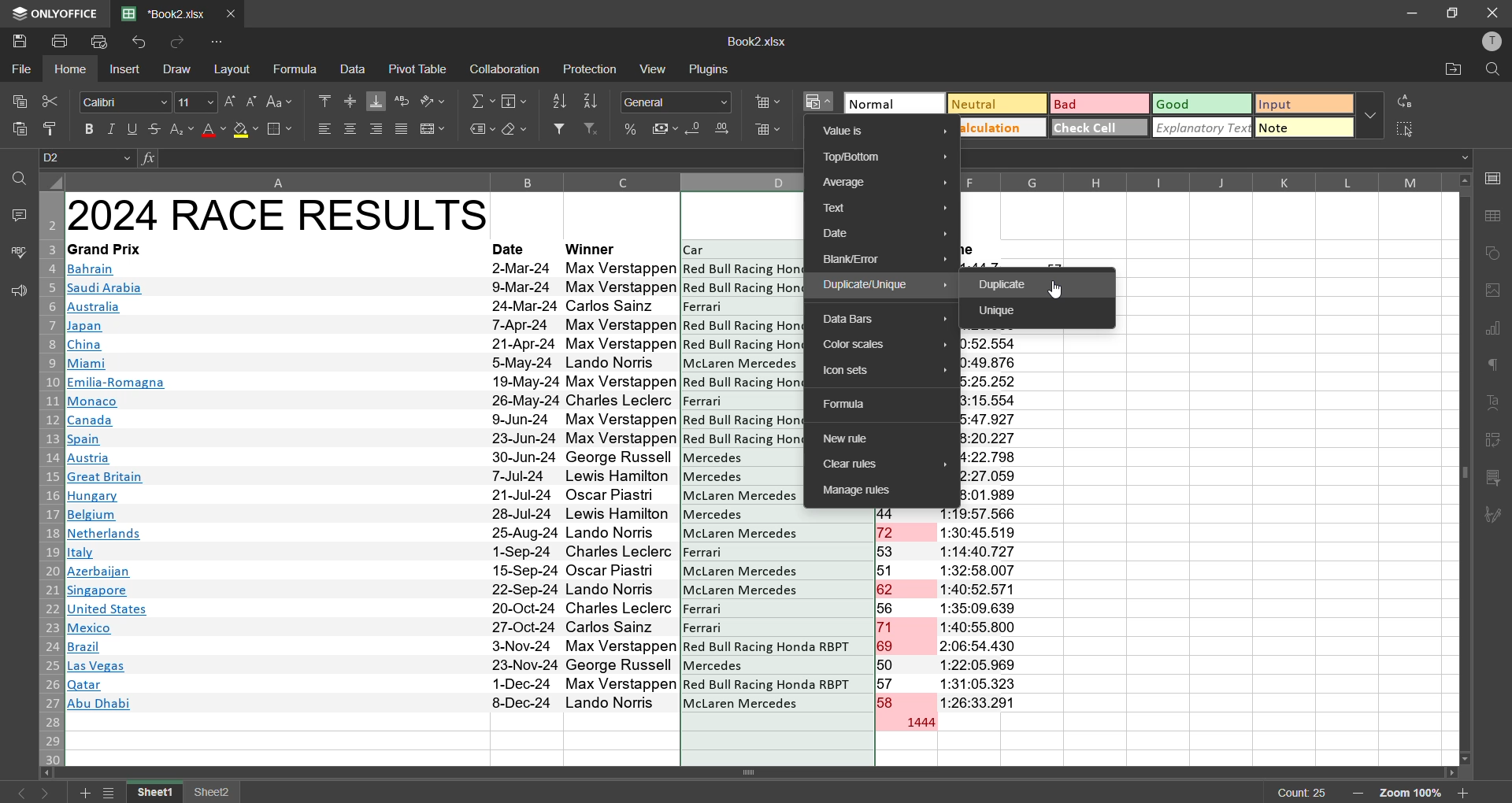 Image resolution: width=1512 pixels, height=803 pixels. I want to click on copy, so click(16, 98).